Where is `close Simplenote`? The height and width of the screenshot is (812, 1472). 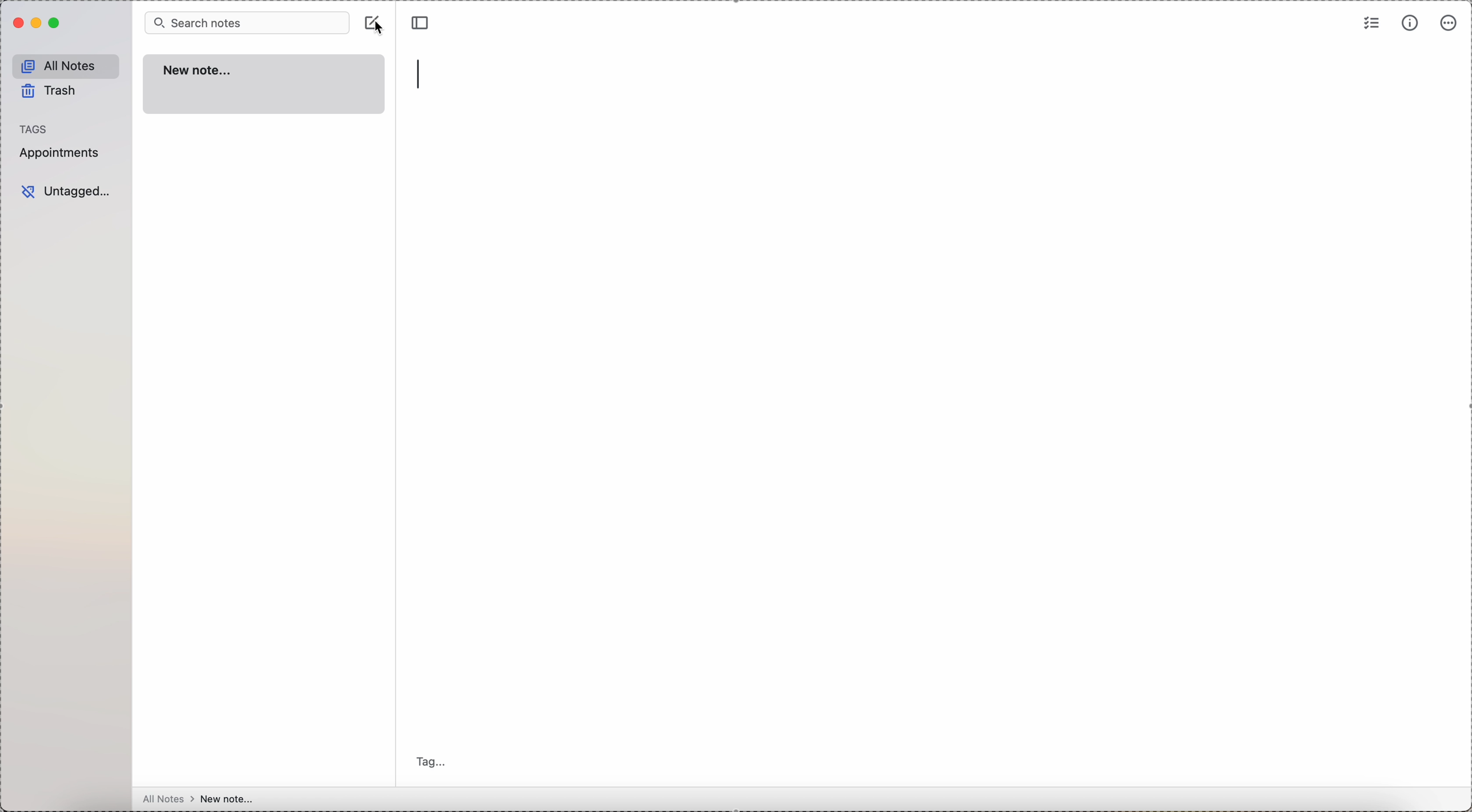 close Simplenote is located at coordinates (16, 23).